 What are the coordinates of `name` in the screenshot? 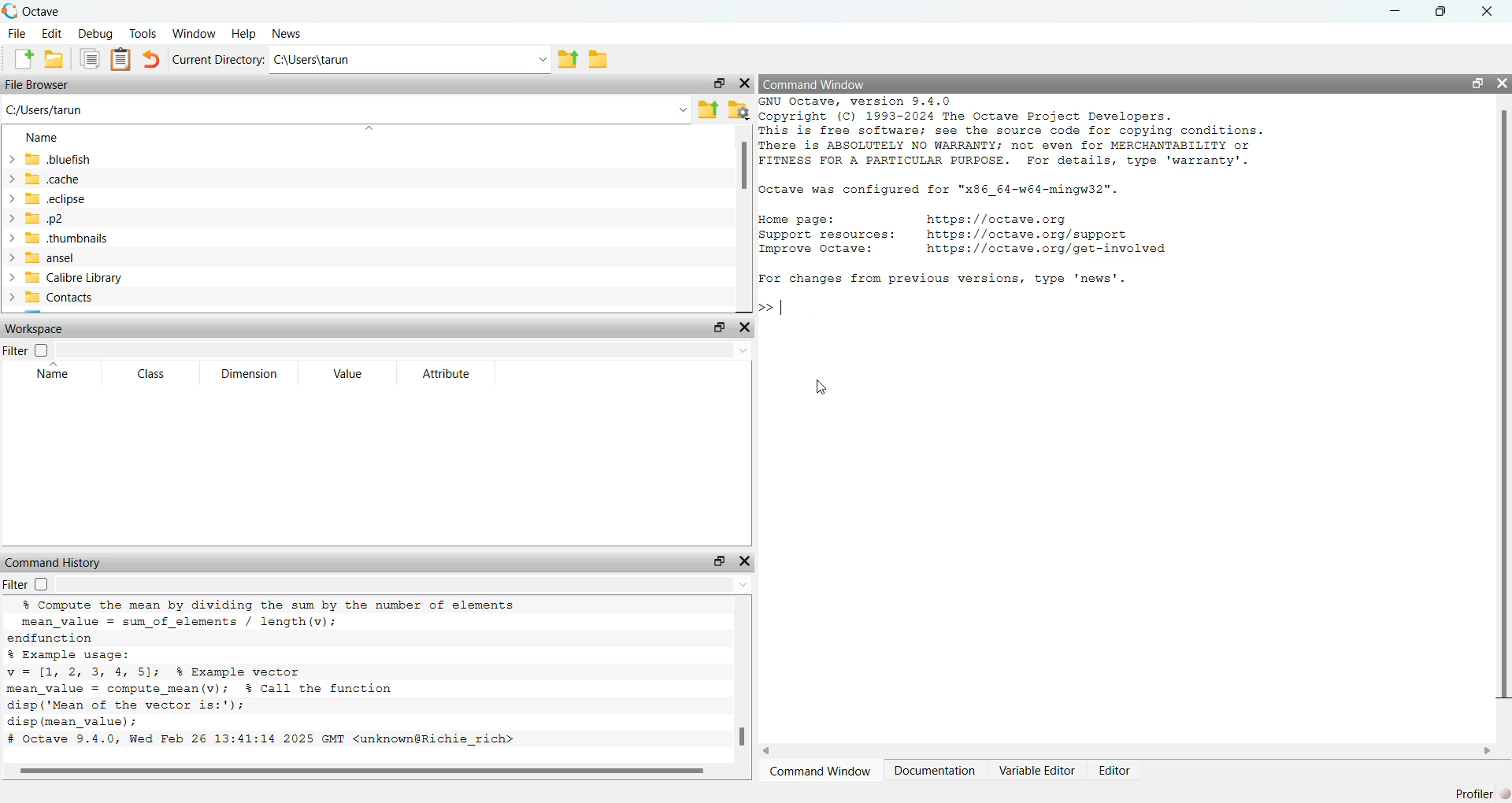 It's located at (44, 139).